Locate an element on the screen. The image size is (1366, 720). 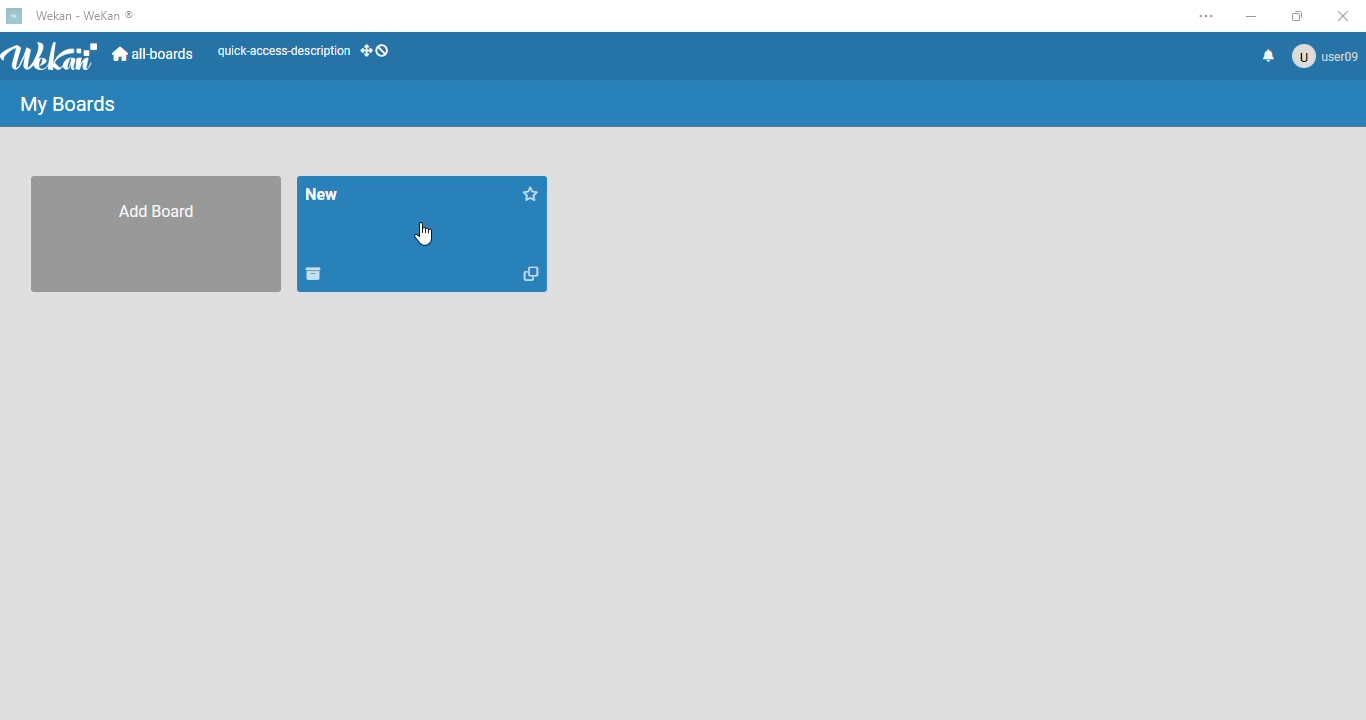
all-boards is located at coordinates (155, 54).